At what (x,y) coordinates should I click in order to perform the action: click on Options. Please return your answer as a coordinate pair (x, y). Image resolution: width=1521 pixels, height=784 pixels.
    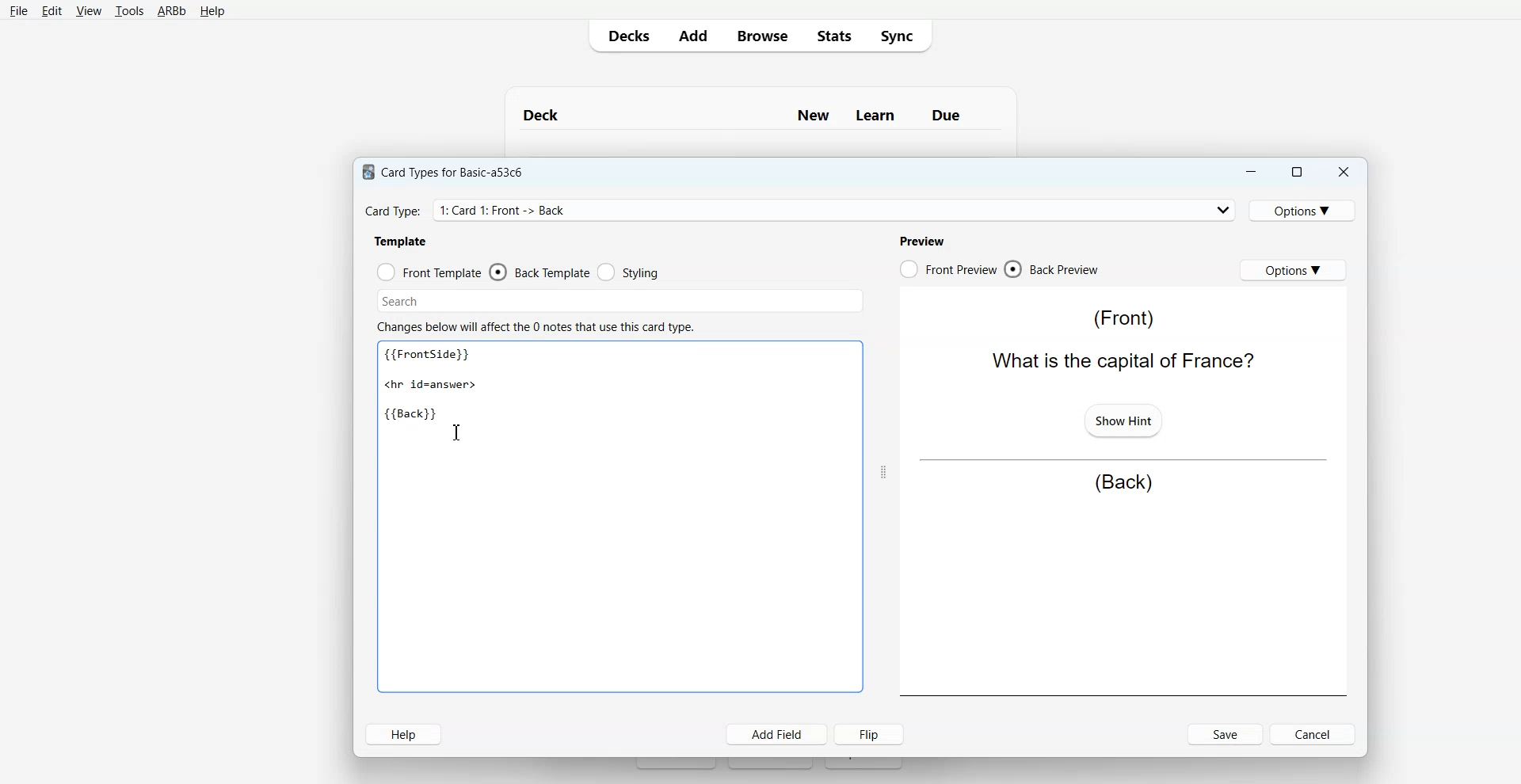
    Looking at the image, I should click on (1293, 269).